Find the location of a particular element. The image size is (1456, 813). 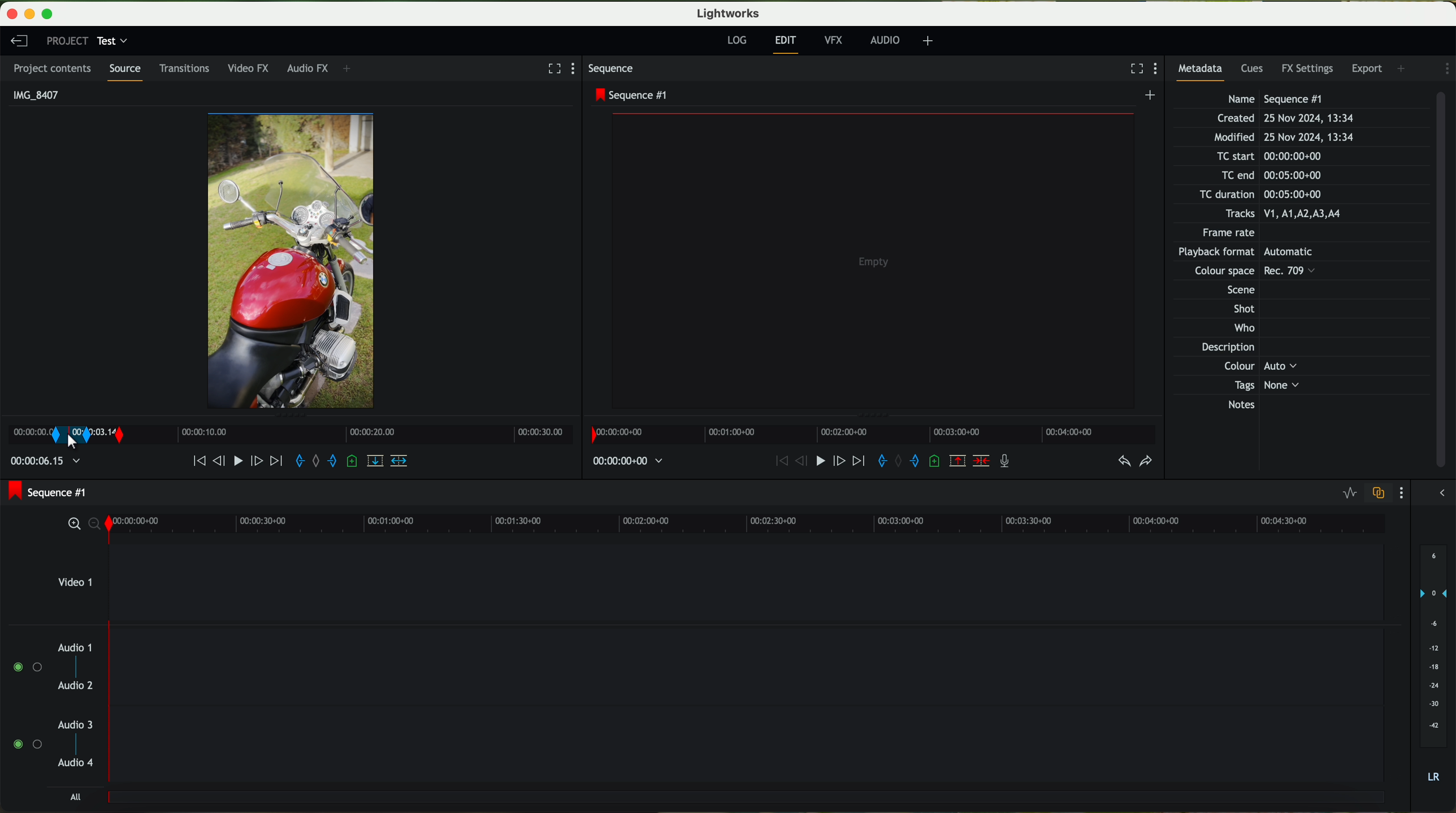

maximize is located at coordinates (54, 12).